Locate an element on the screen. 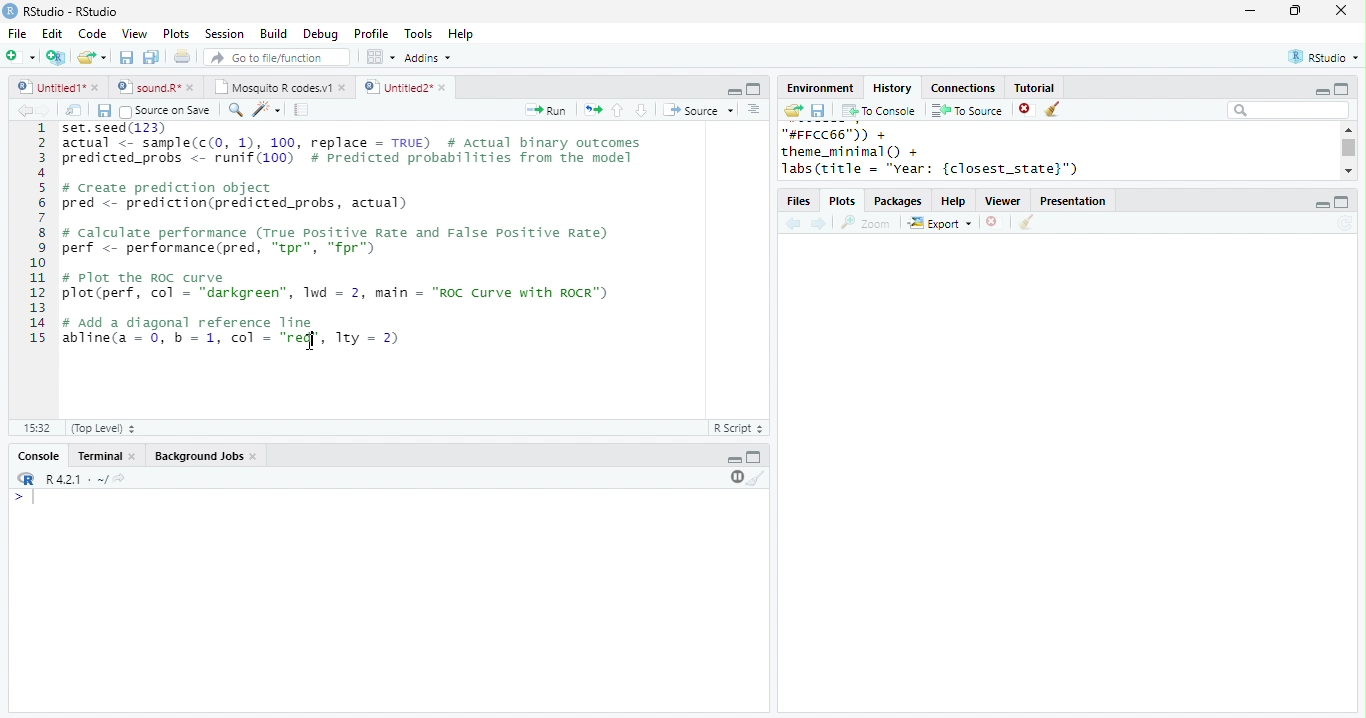  # Add a diagonal reference line
abline(a = 0, b = 1, col = "red", Try = 2) is located at coordinates (234, 330).